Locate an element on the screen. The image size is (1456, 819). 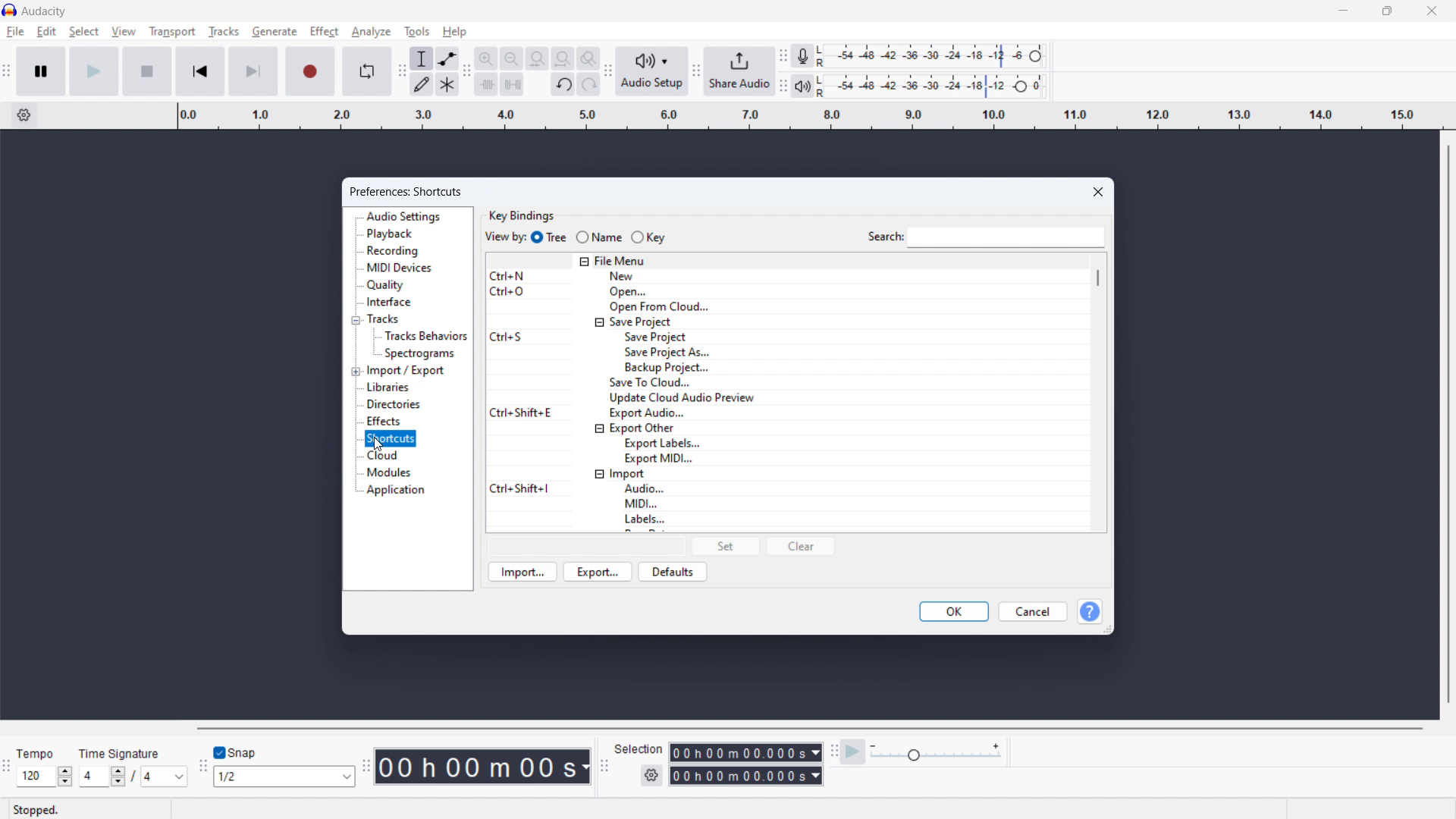
tracks is located at coordinates (224, 31).